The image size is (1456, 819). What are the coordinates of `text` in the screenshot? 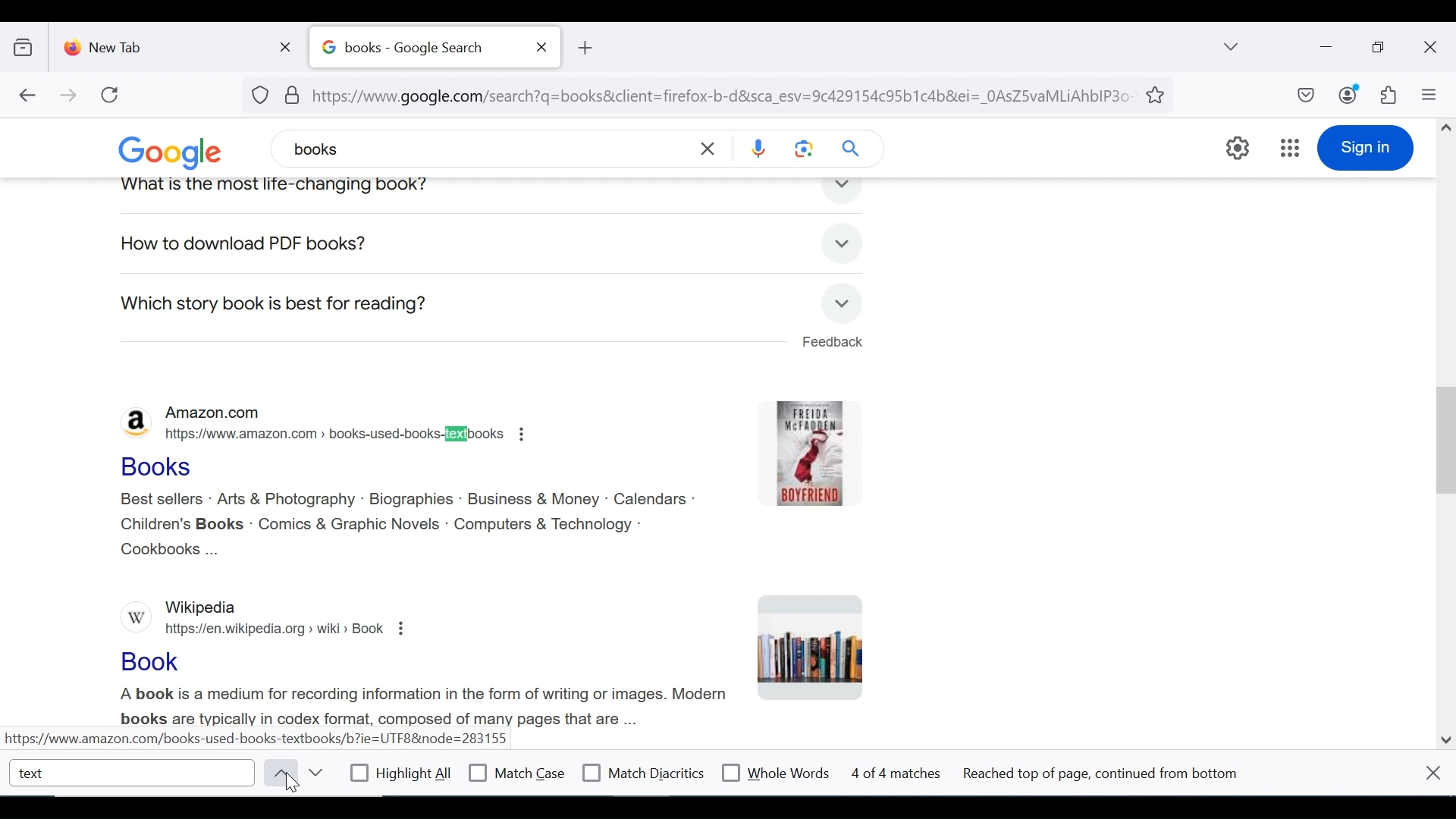 It's located at (133, 772).